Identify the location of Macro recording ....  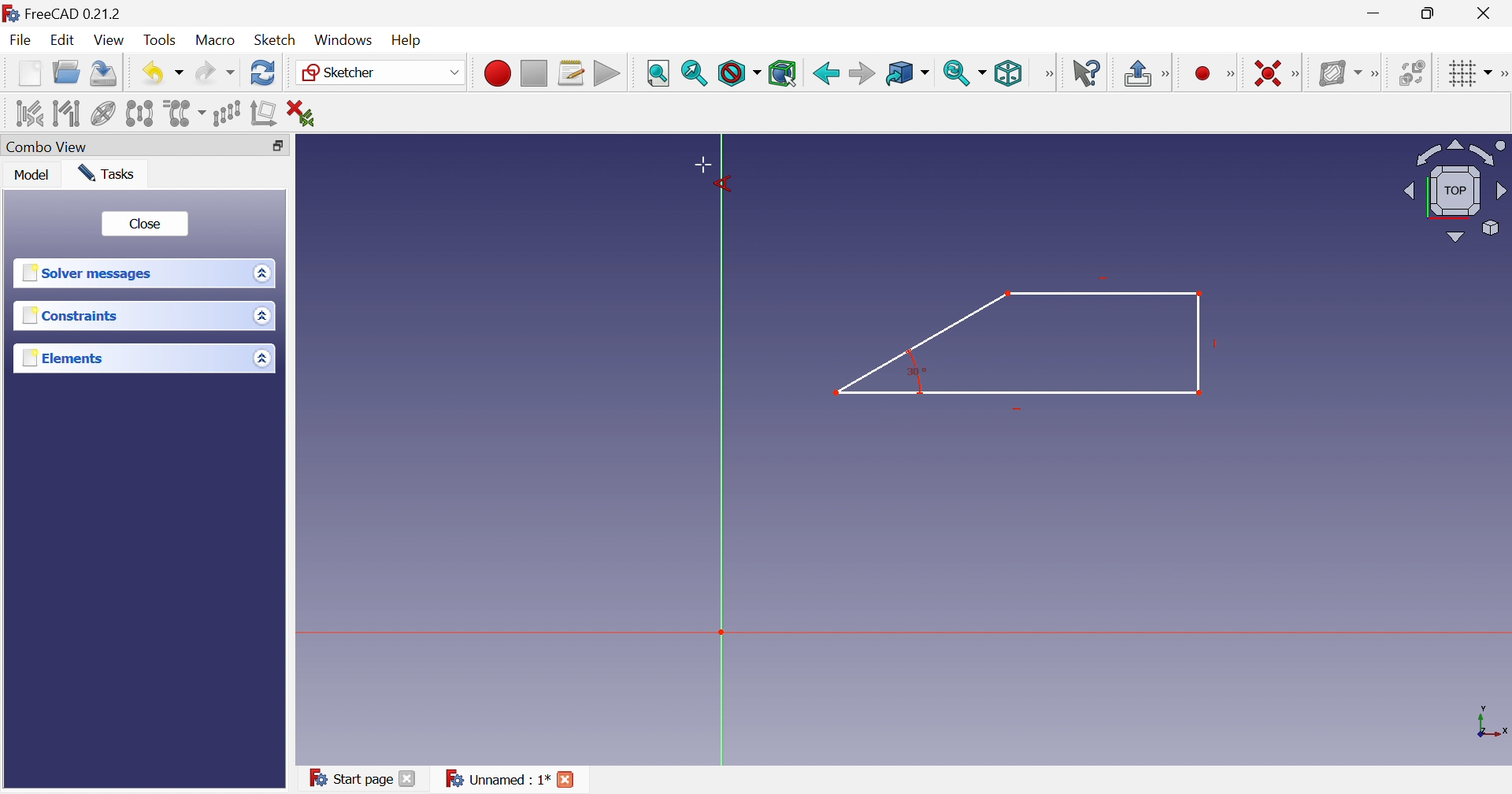
(495, 72).